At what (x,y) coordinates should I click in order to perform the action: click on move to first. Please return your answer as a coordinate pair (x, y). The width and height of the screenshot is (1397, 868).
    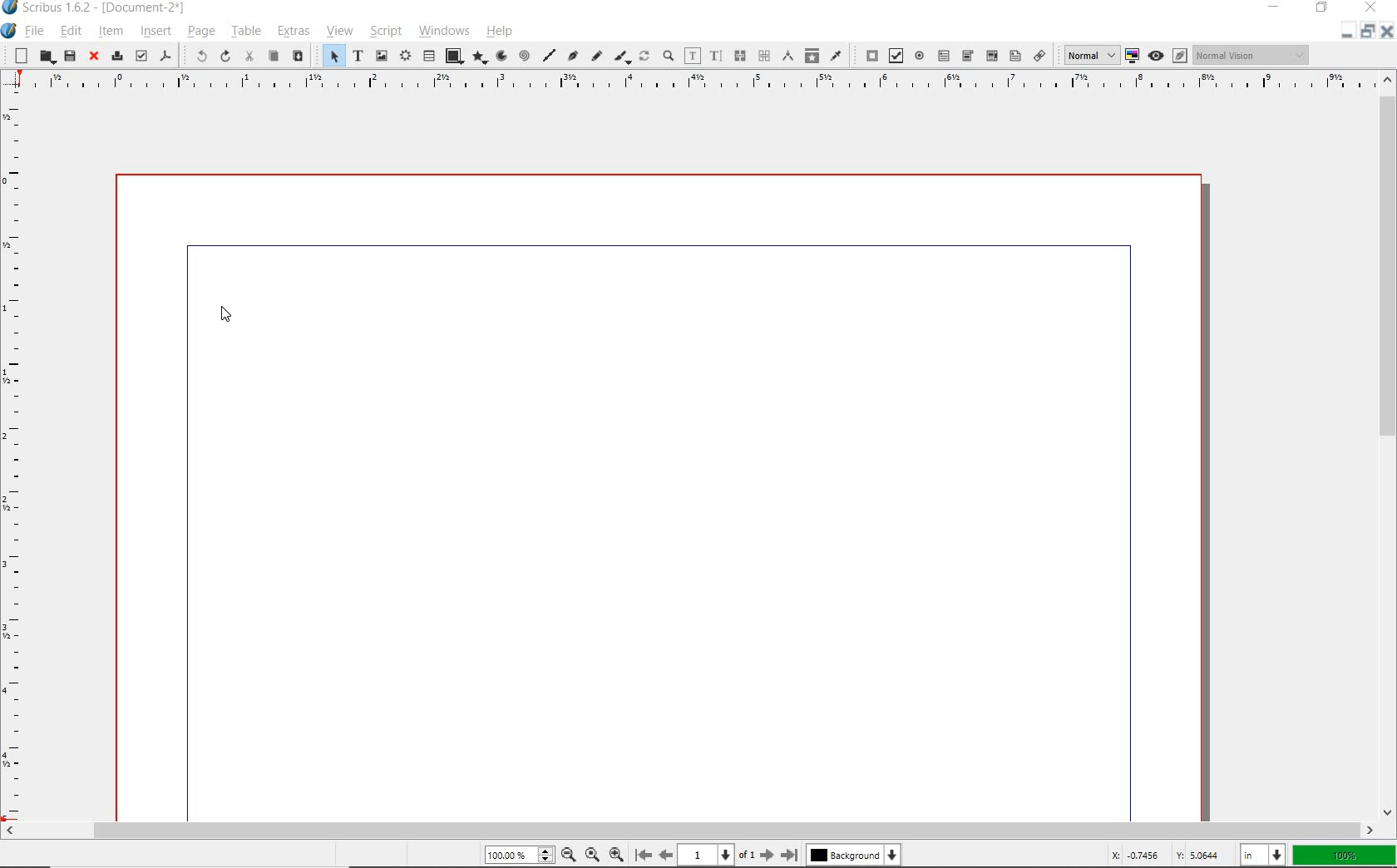
    Looking at the image, I should click on (642, 854).